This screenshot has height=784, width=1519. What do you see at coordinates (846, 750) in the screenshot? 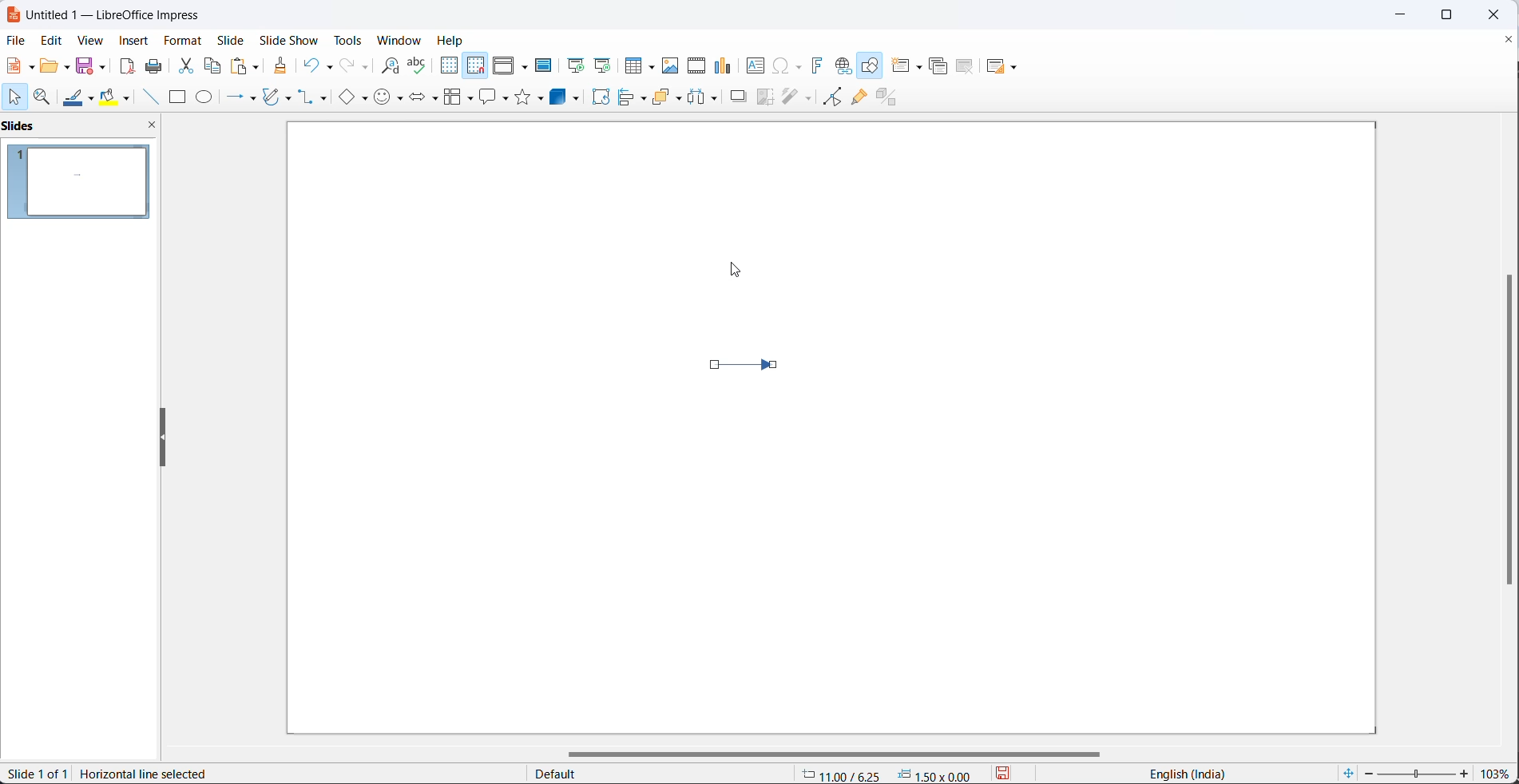
I see `scroll bar` at bounding box center [846, 750].